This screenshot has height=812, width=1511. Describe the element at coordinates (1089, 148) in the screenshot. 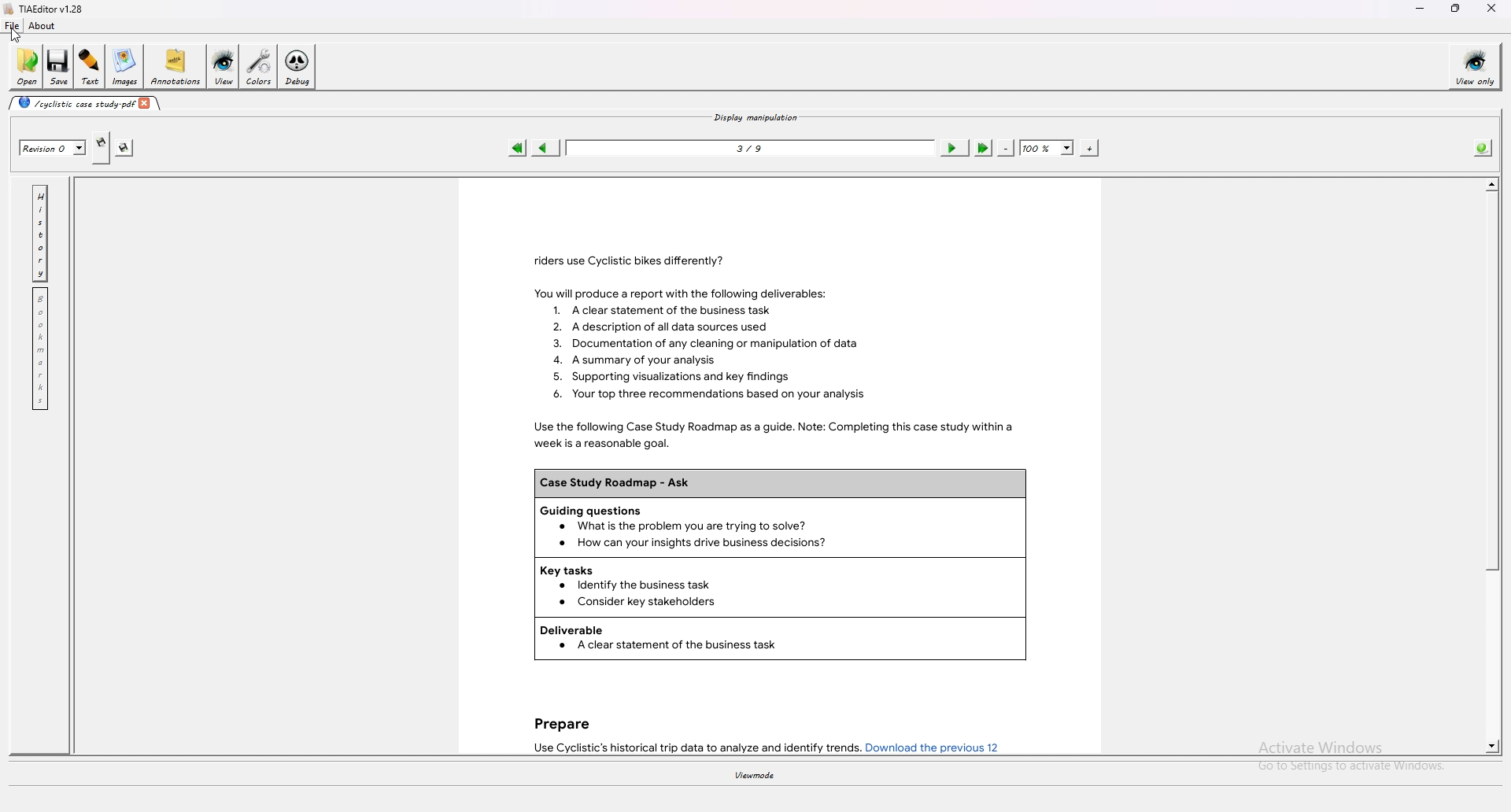

I see `zoom in` at that location.